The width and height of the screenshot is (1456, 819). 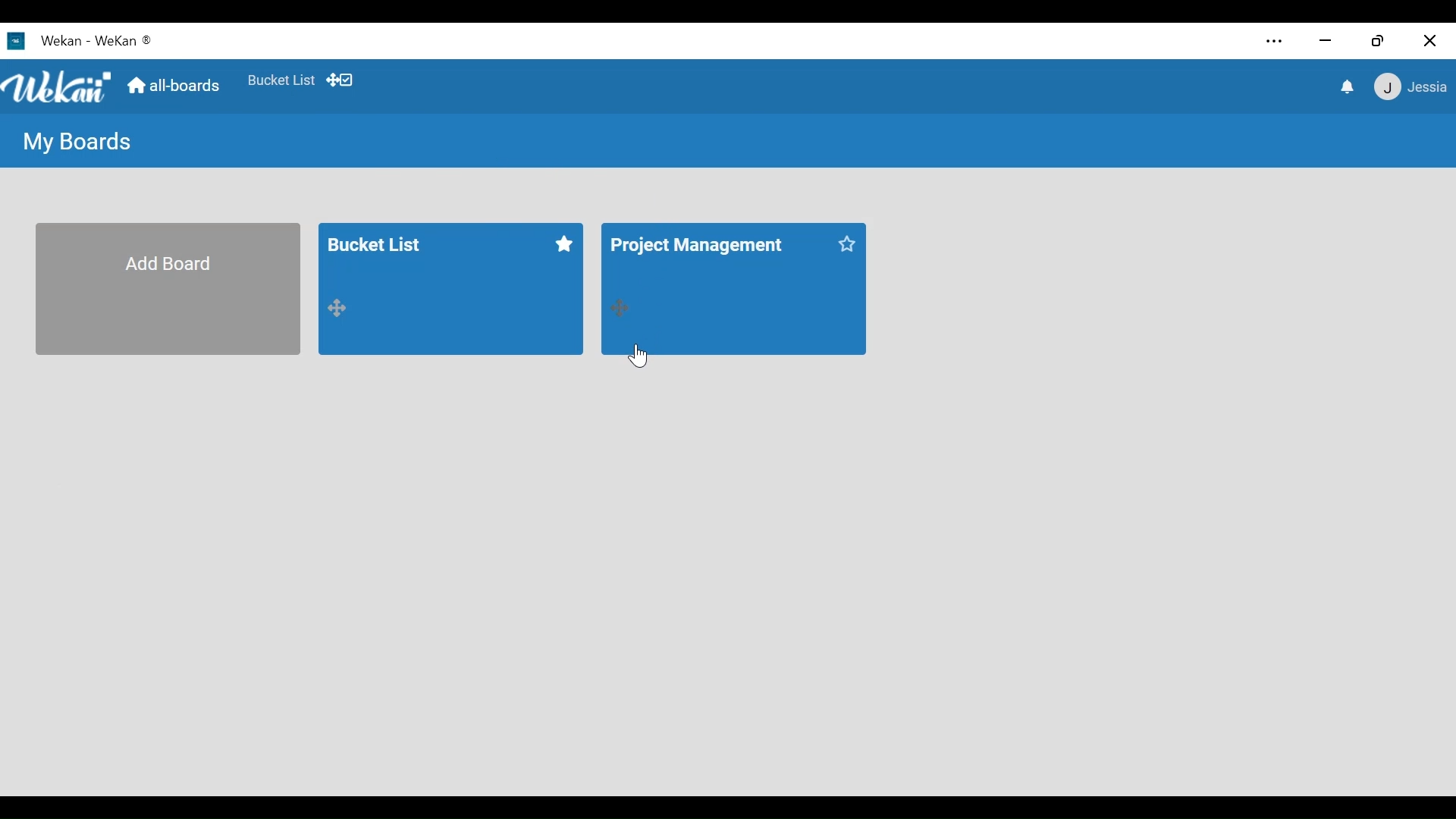 What do you see at coordinates (1343, 88) in the screenshot?
I see `notifications` at bounding box center [1343, 88].